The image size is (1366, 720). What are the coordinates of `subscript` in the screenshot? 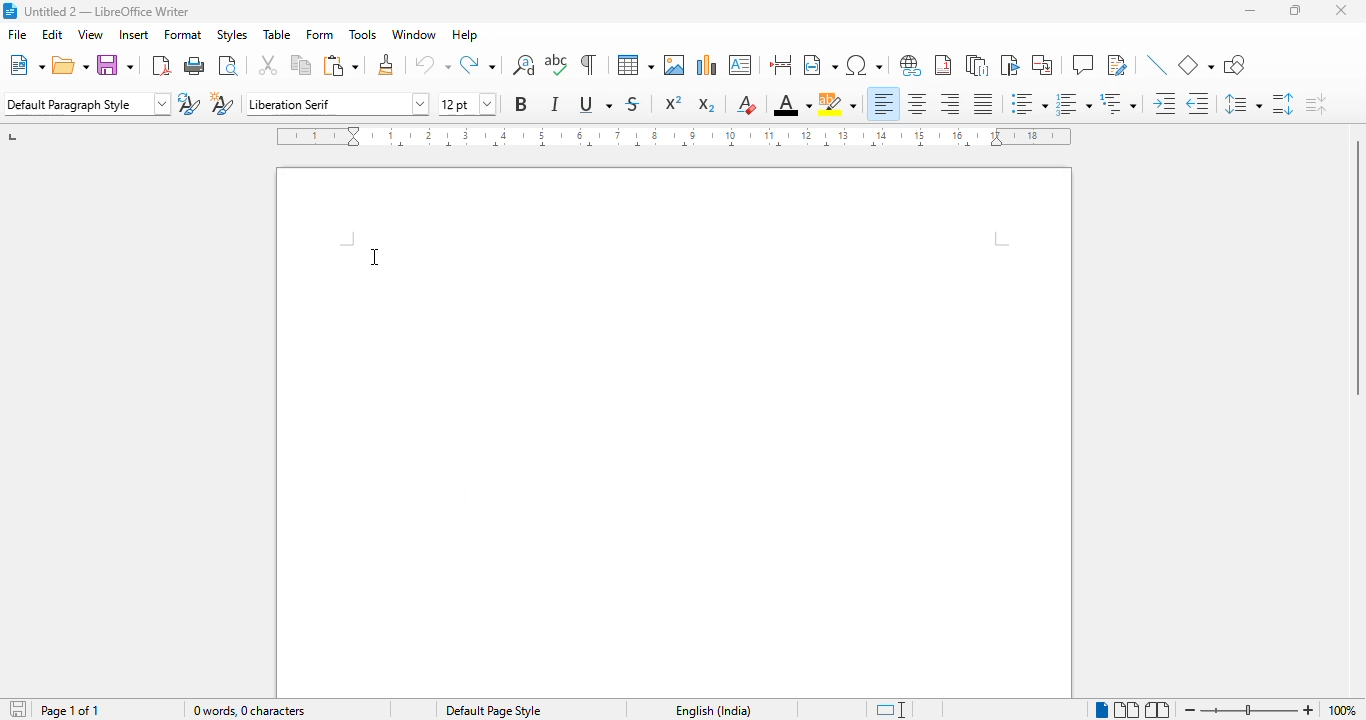 It's located at (707, 105).